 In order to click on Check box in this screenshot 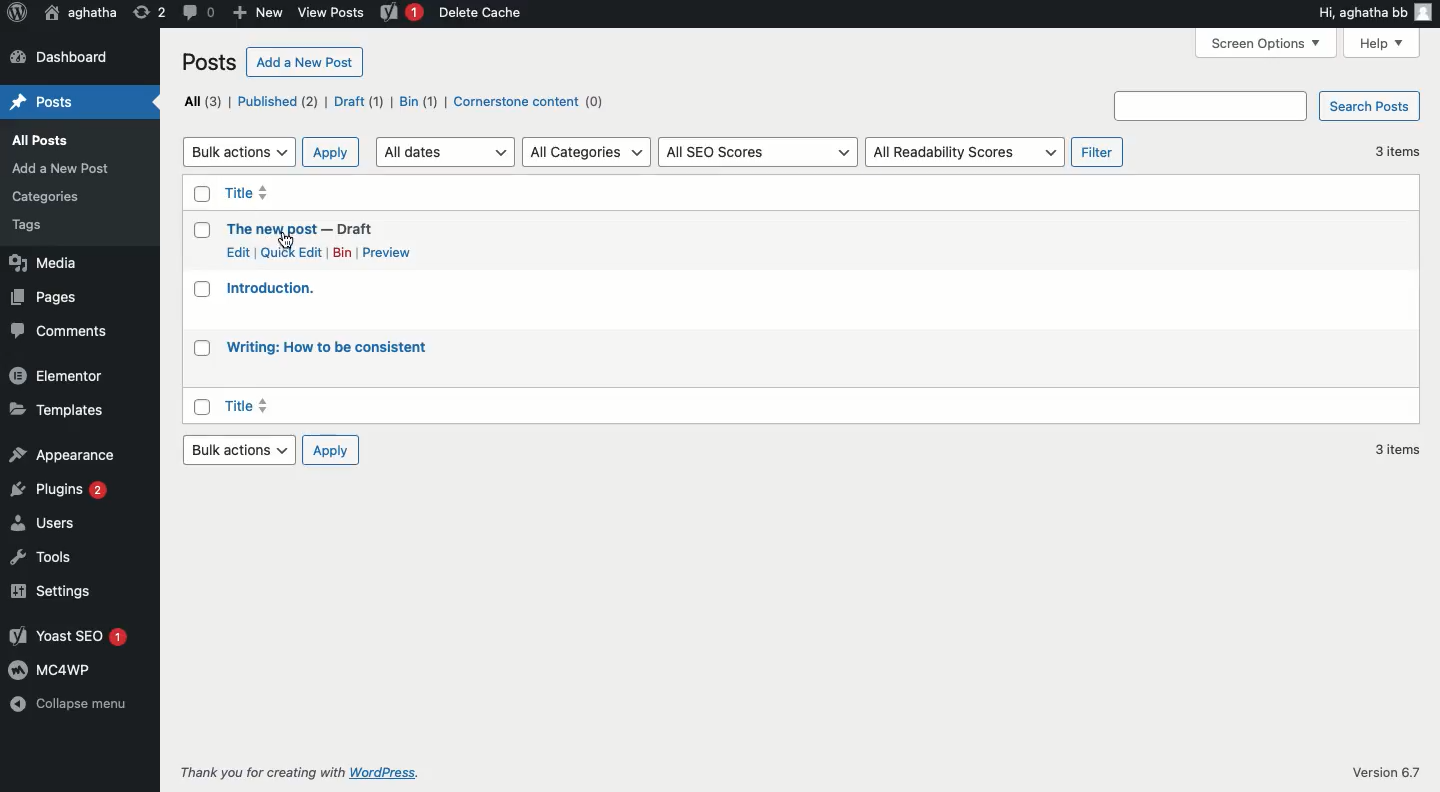, I will do `click(204, 347)`.